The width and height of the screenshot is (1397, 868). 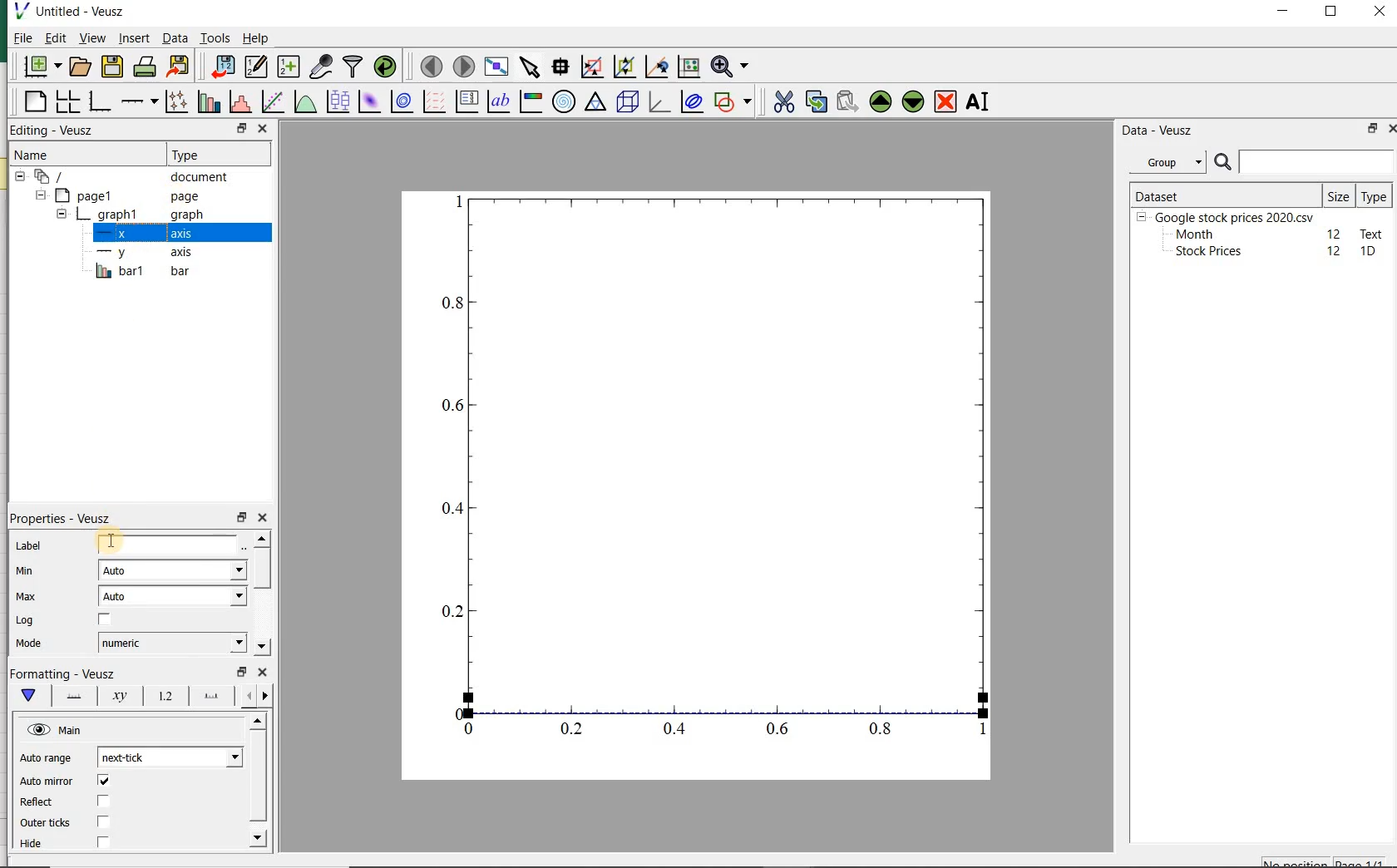 I want to click on close, so click(x=264, y=518).